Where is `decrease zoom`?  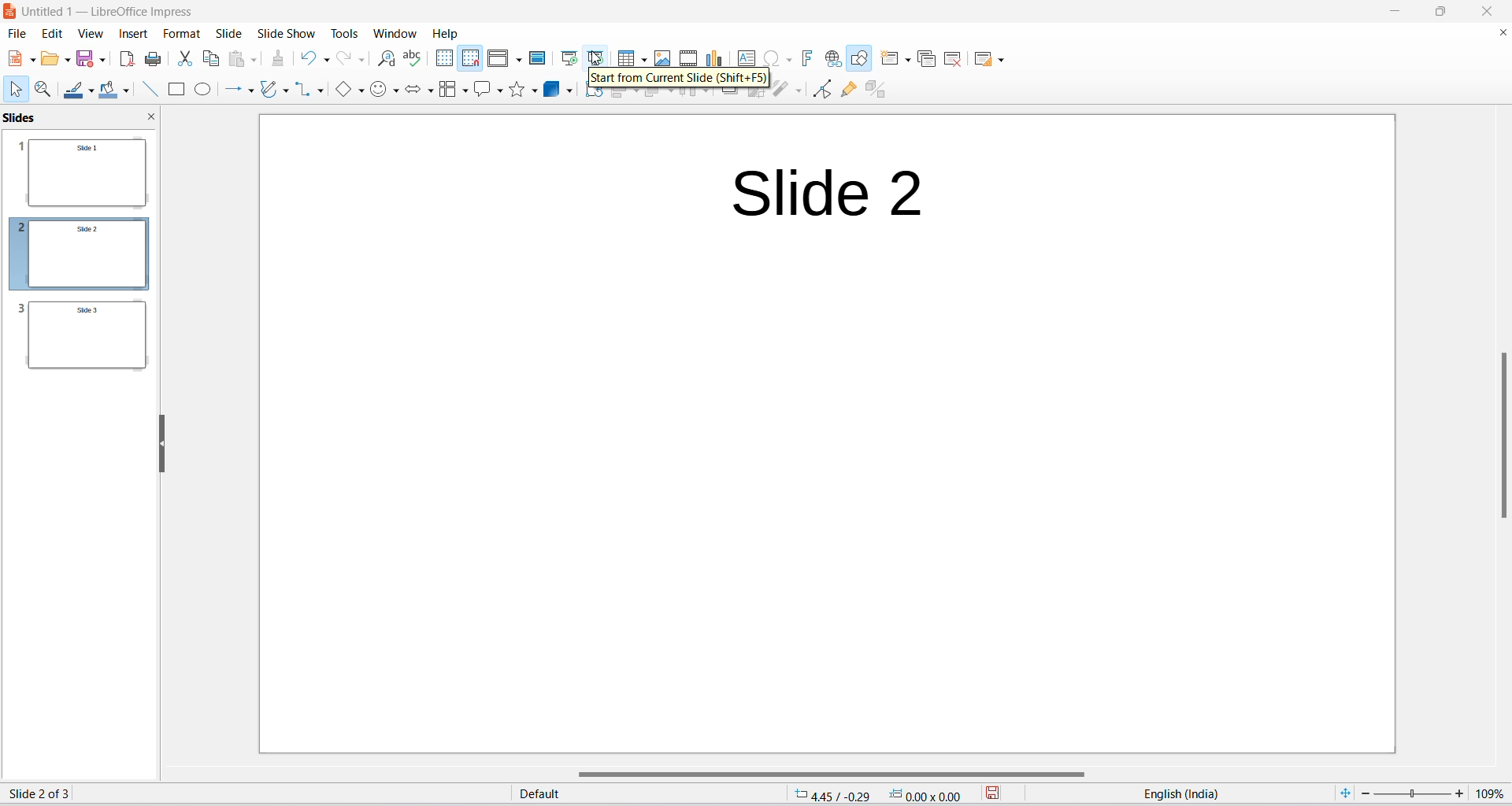
decrease zoom is located at coordinates (1365, 794).